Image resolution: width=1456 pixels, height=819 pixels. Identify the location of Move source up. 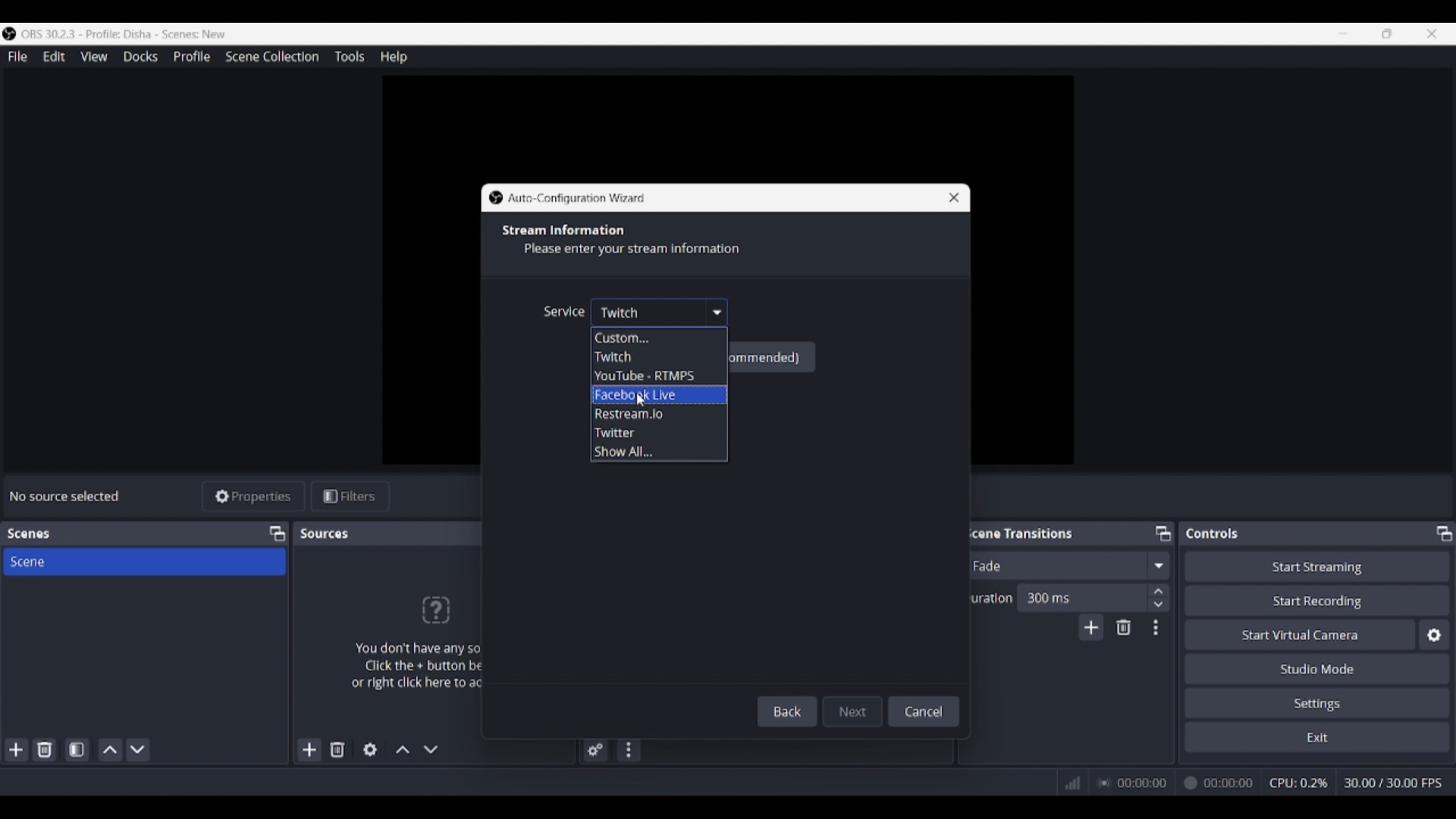
(403, 749).